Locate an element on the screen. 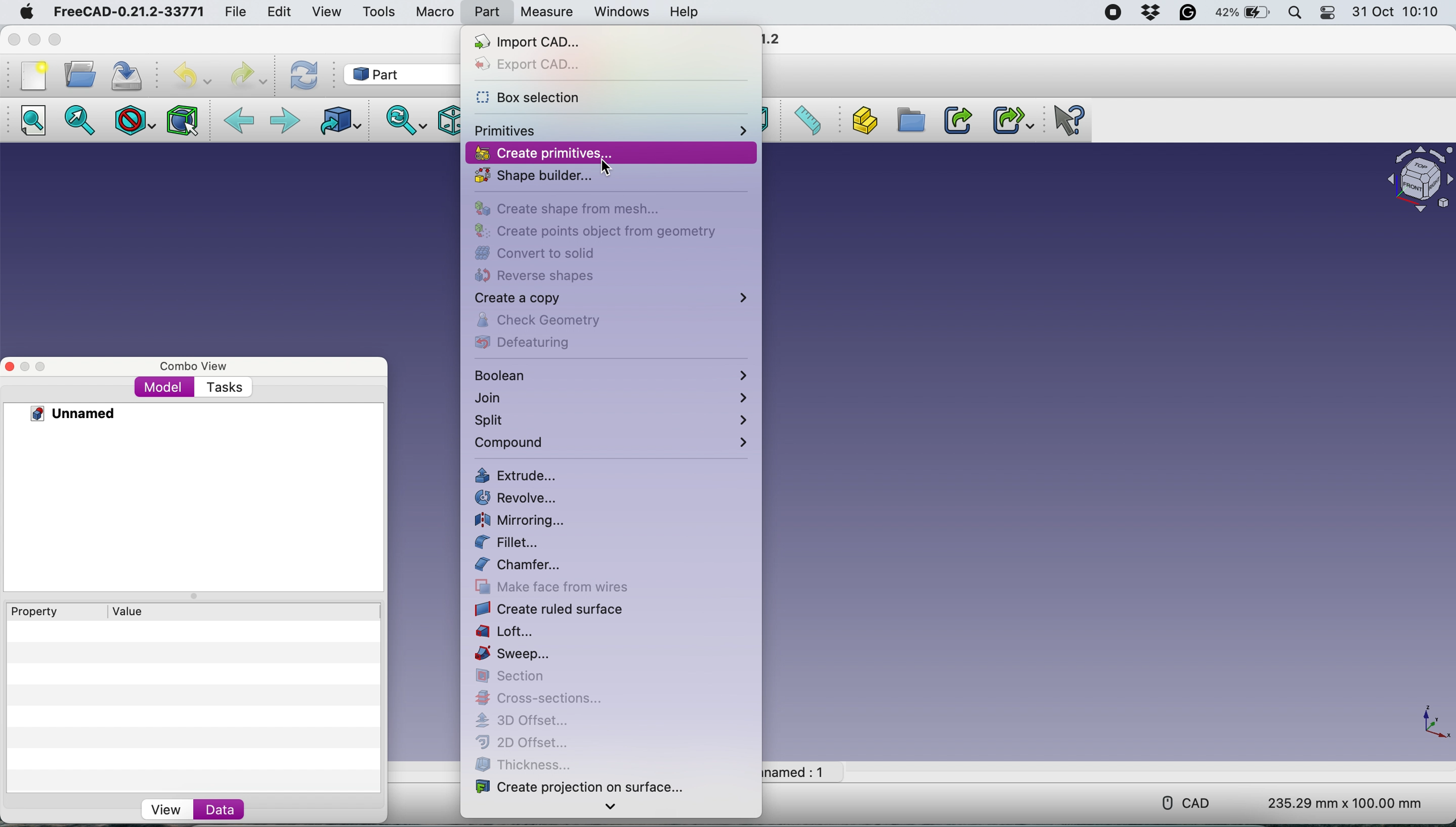  defeaturing is located at coordinates (526, 344).